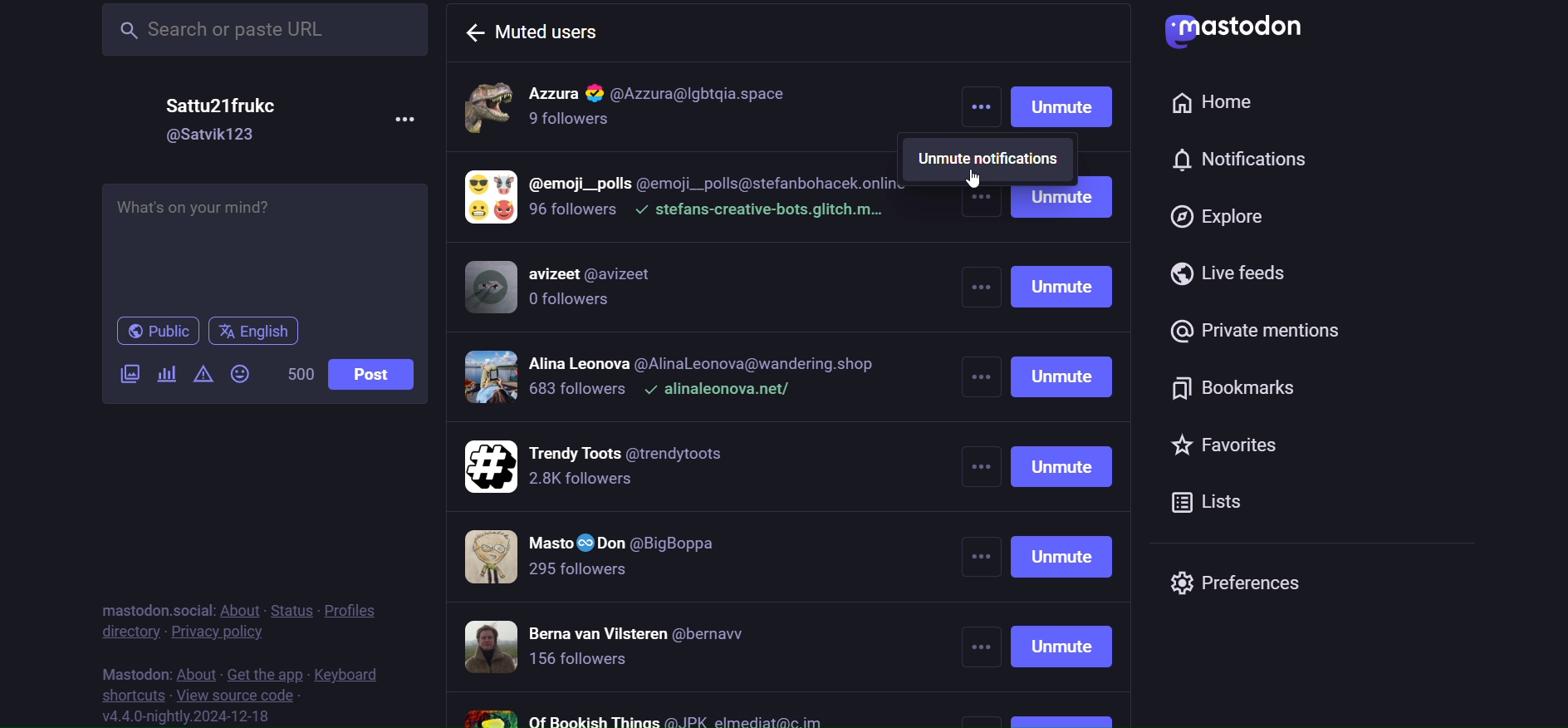 Image resolution: width=1568 pixels, height=728 pixels. What do you see at coordinates (256, 332) in the screenshot?
I see `language` at bounding box center [256, 332].